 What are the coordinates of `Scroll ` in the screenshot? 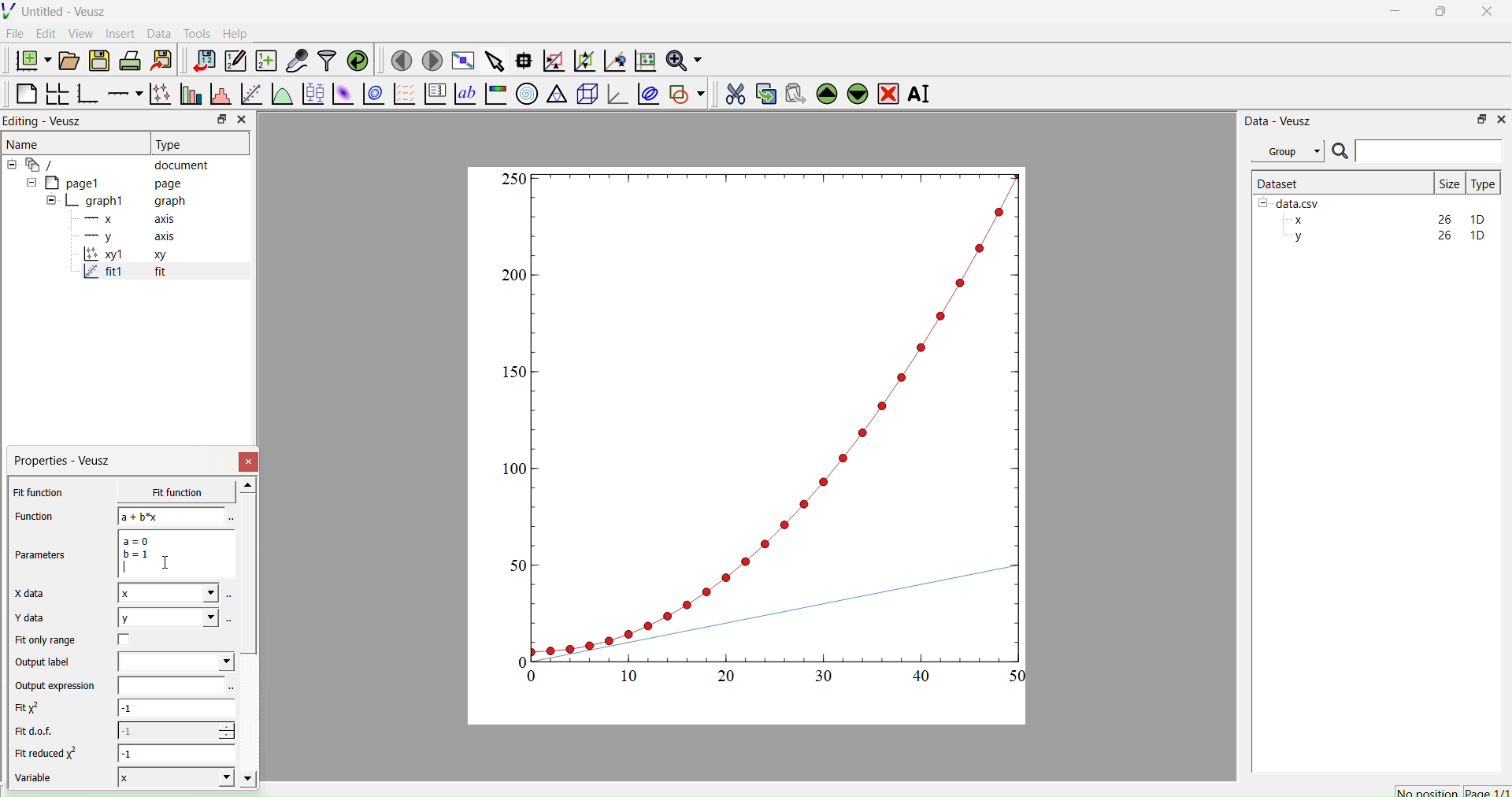 It's located at (249, 634).